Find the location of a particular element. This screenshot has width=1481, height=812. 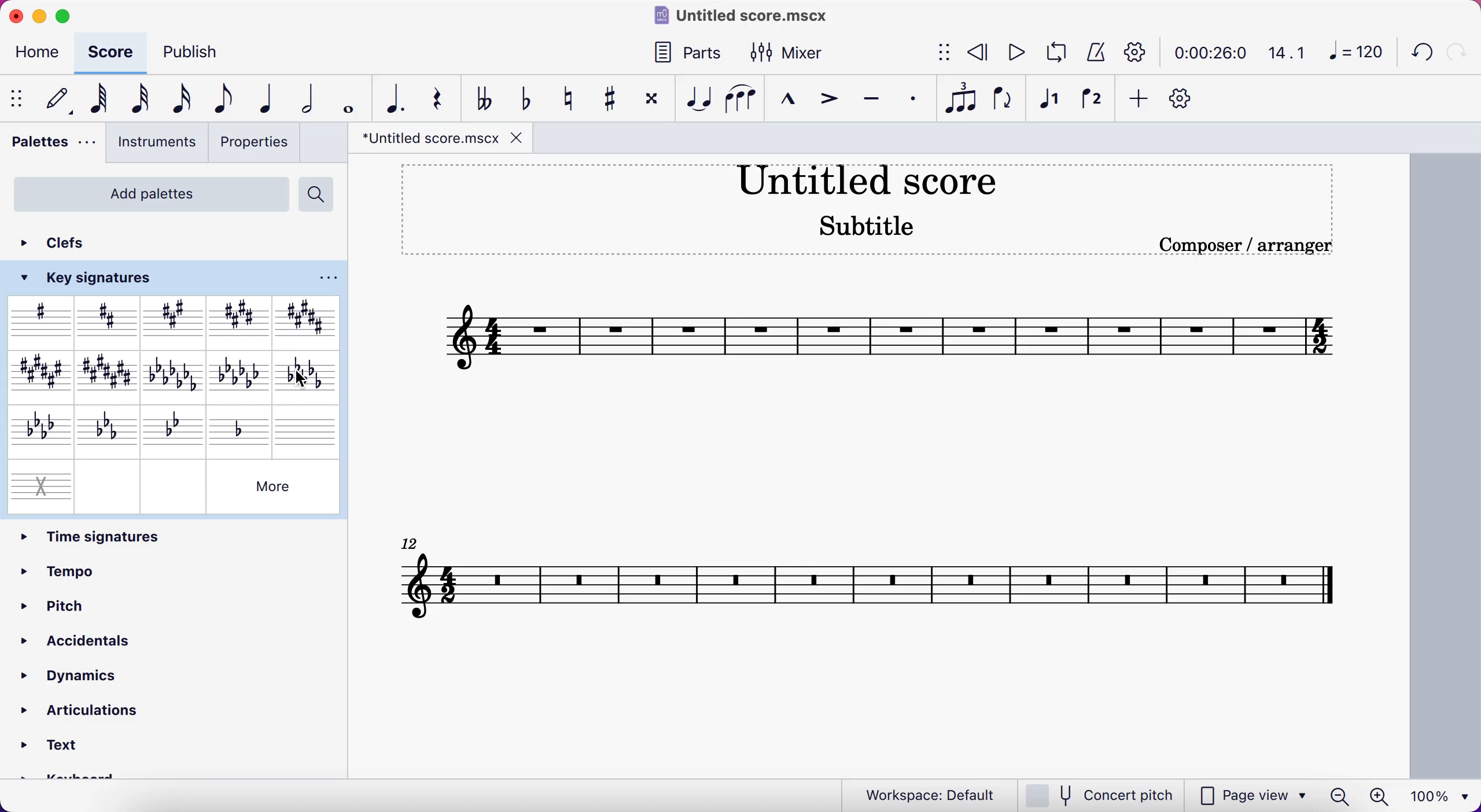

 is located at coordinates (274, 486).